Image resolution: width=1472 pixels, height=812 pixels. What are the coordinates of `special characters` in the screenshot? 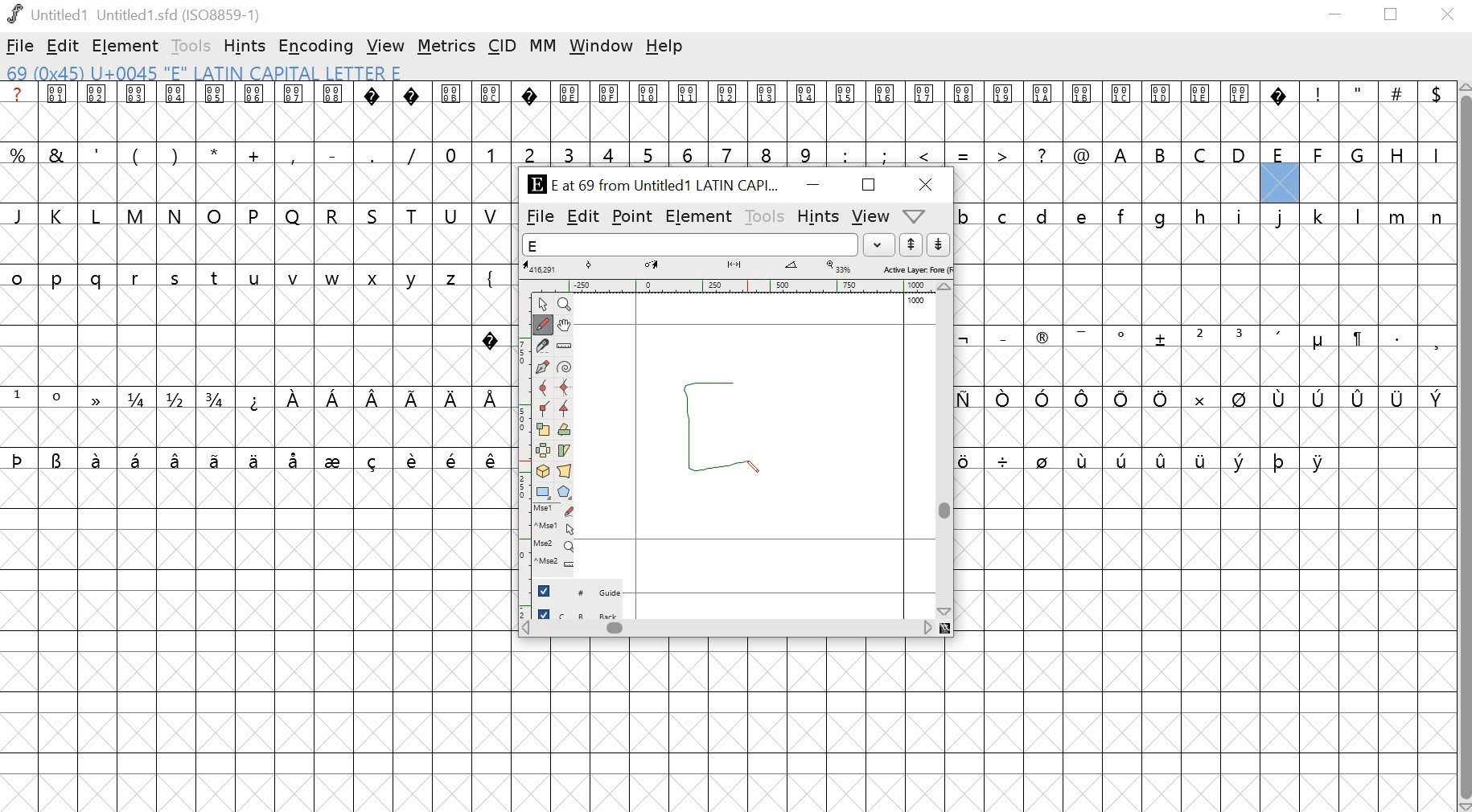 It's located at (253, 461).